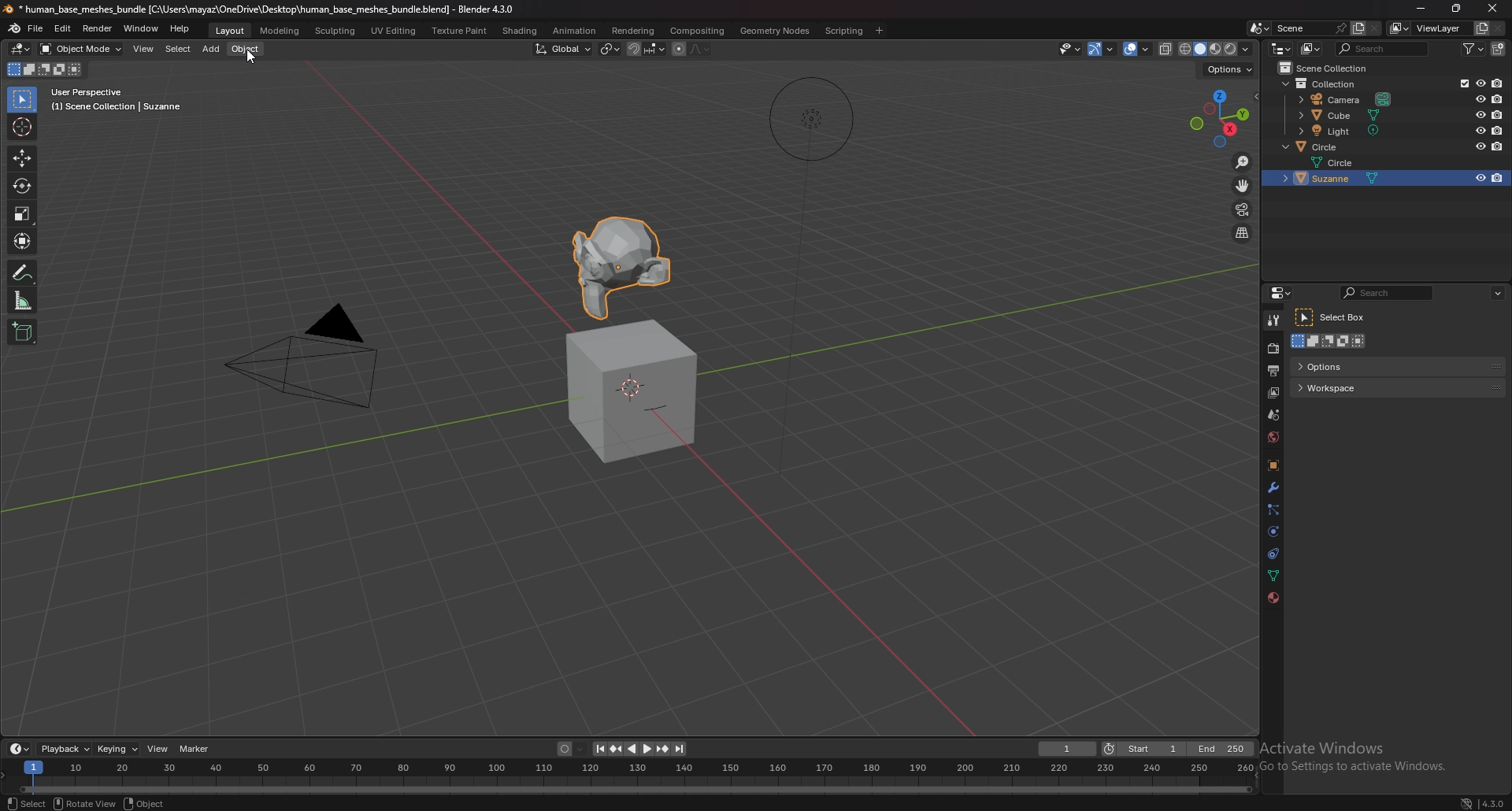 This screenshot has width=1512, height=811. What do you see at coordinates (1273, 438) in the screenshot?
I see `world` at bounding box center [1273, 438].